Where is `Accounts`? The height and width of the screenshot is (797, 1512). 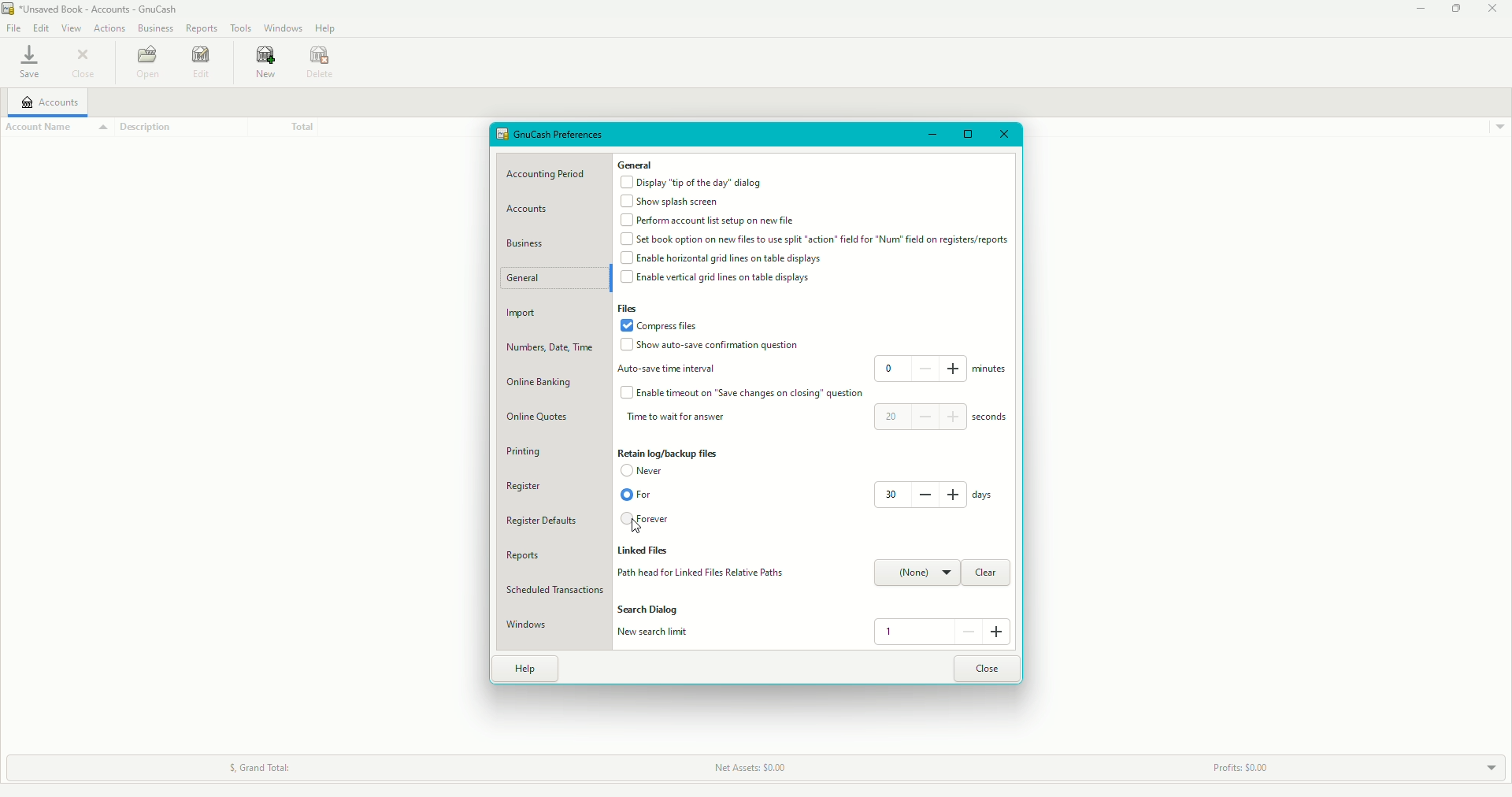
Accounts is located at coordinates (49, 102).